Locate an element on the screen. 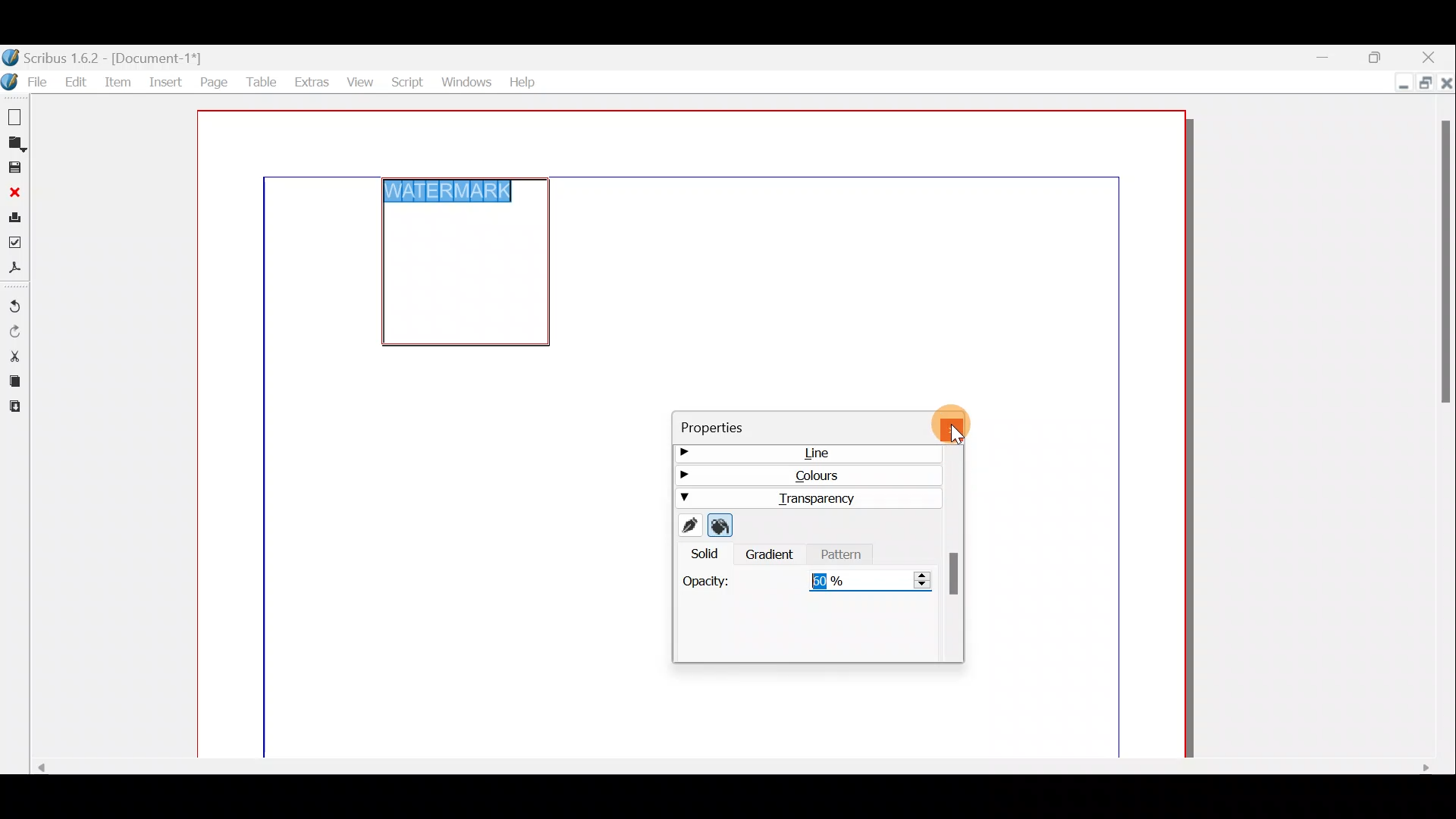 This screenshot has width=1456, height=819. Save as PDF is located at coordinates (14, 270).